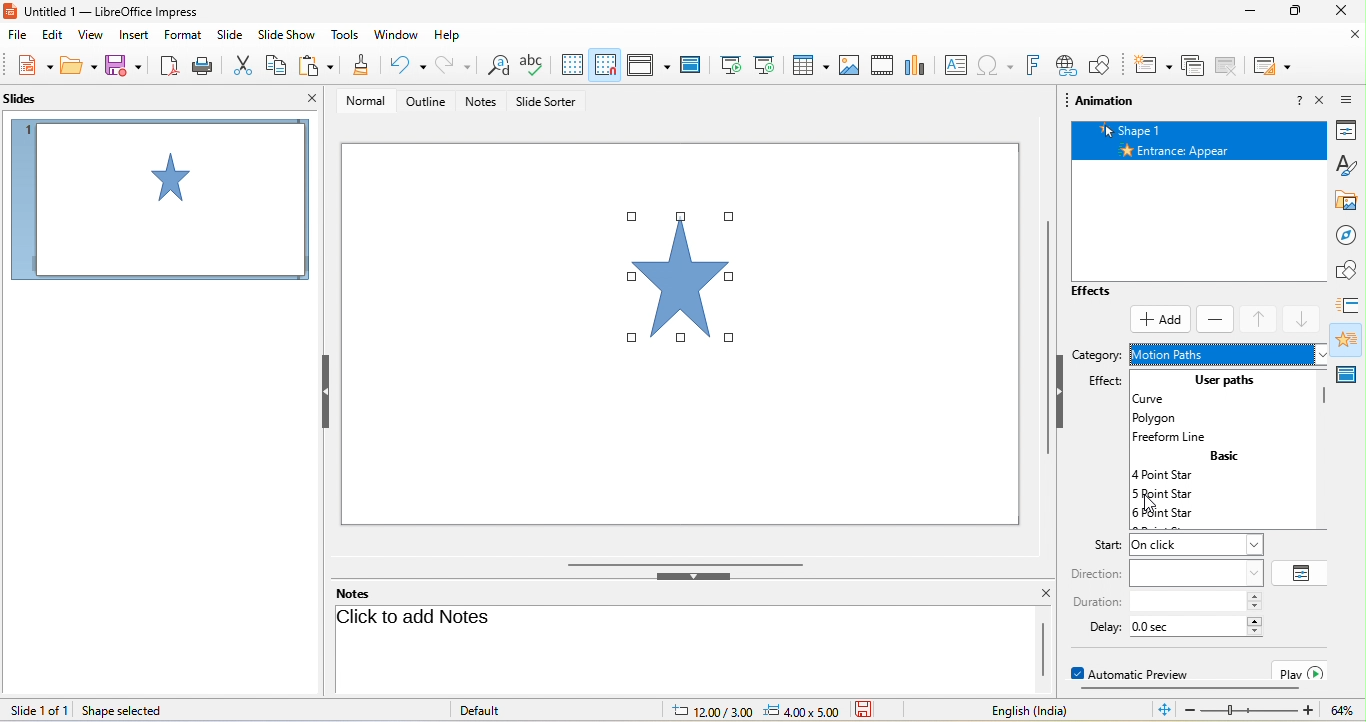  I want to click on entrance appear, so click(1202, 150).